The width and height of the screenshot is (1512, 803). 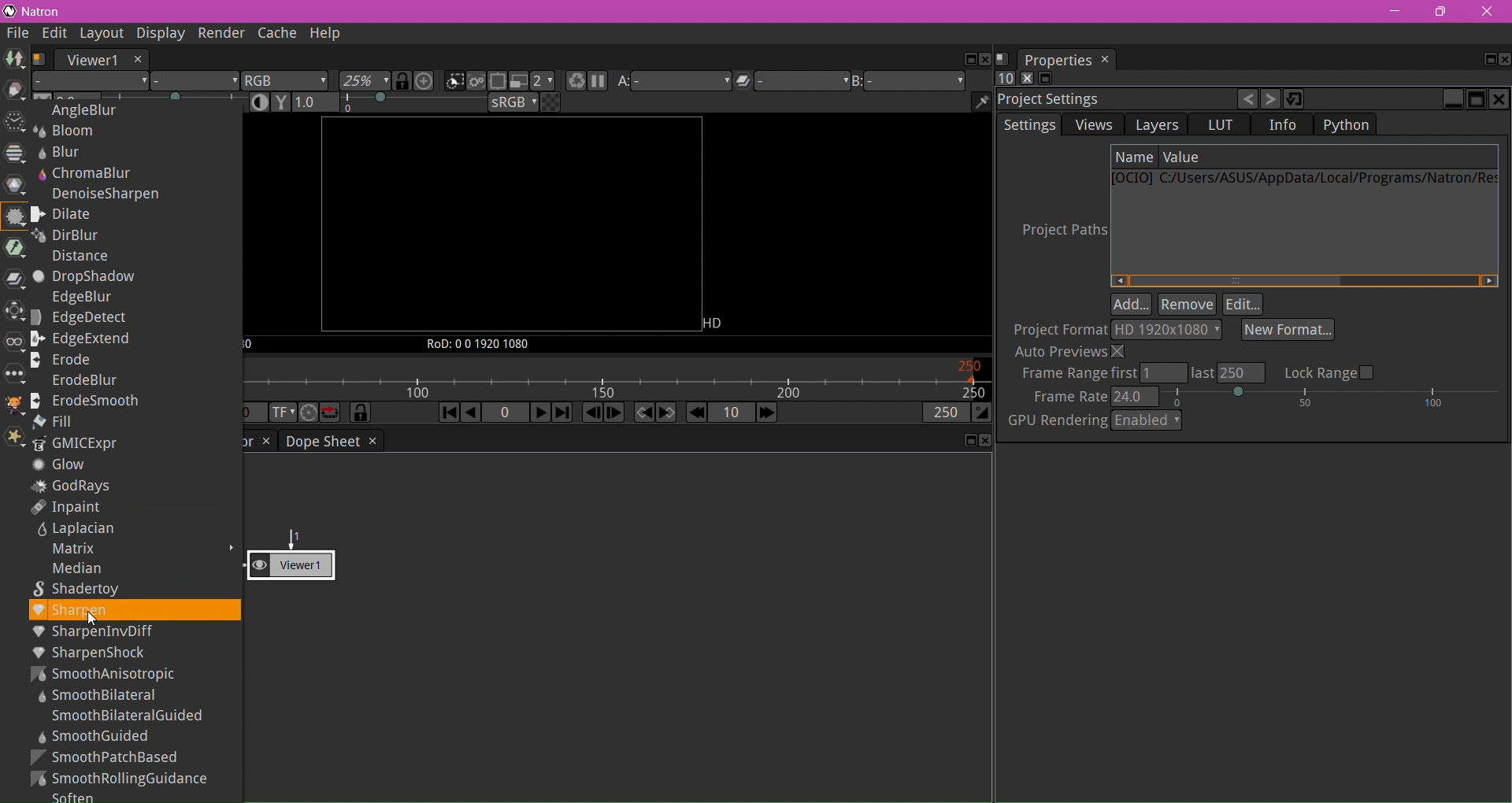 What do you see at coordinates (250, 346) in the screenshot?
I see `Image Format` at bounding box center [250, 346].